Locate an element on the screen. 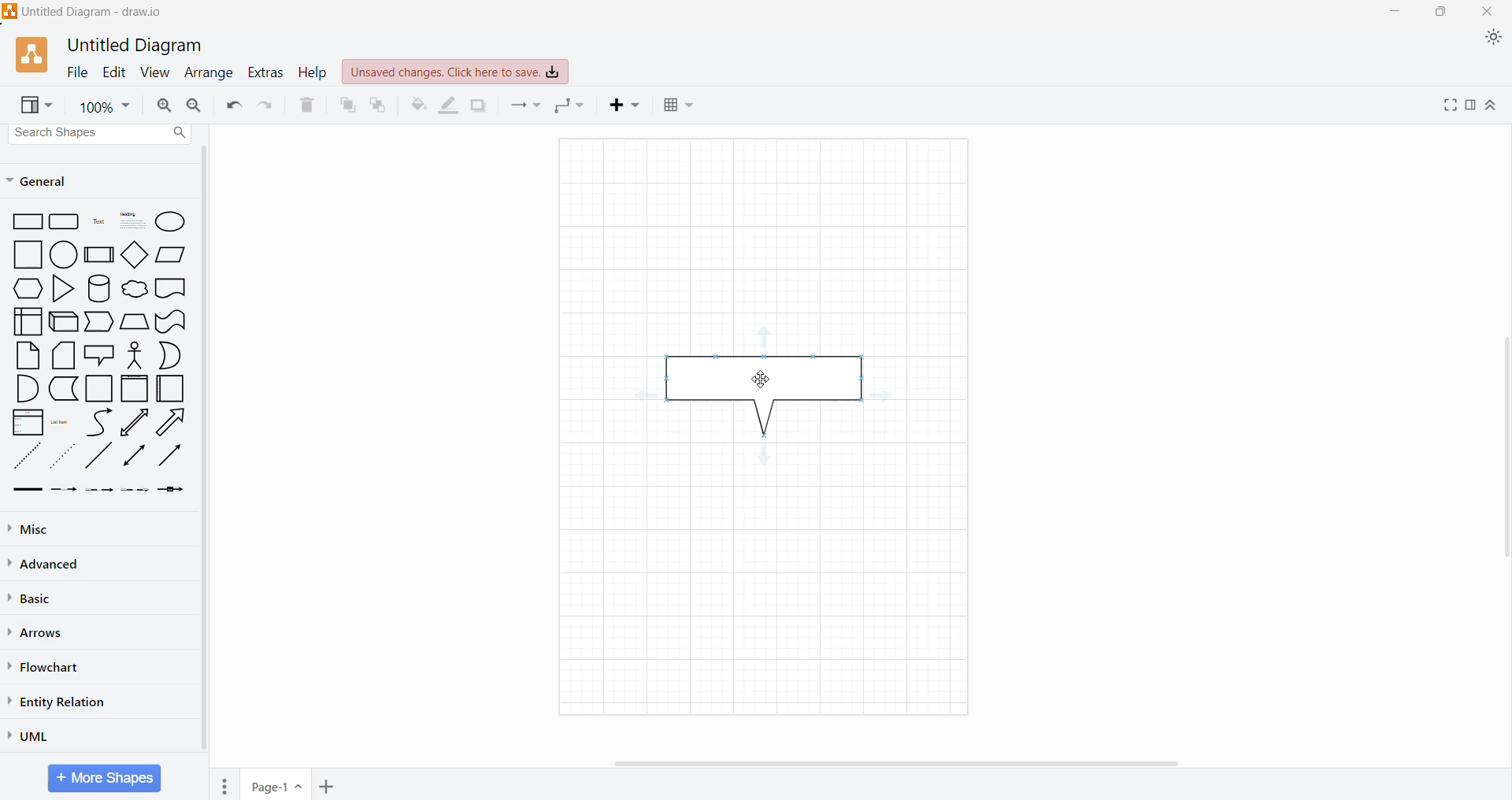 The width and height of the screenshot is (1512, 800). Waypoints is located at coordinates (572, 106).